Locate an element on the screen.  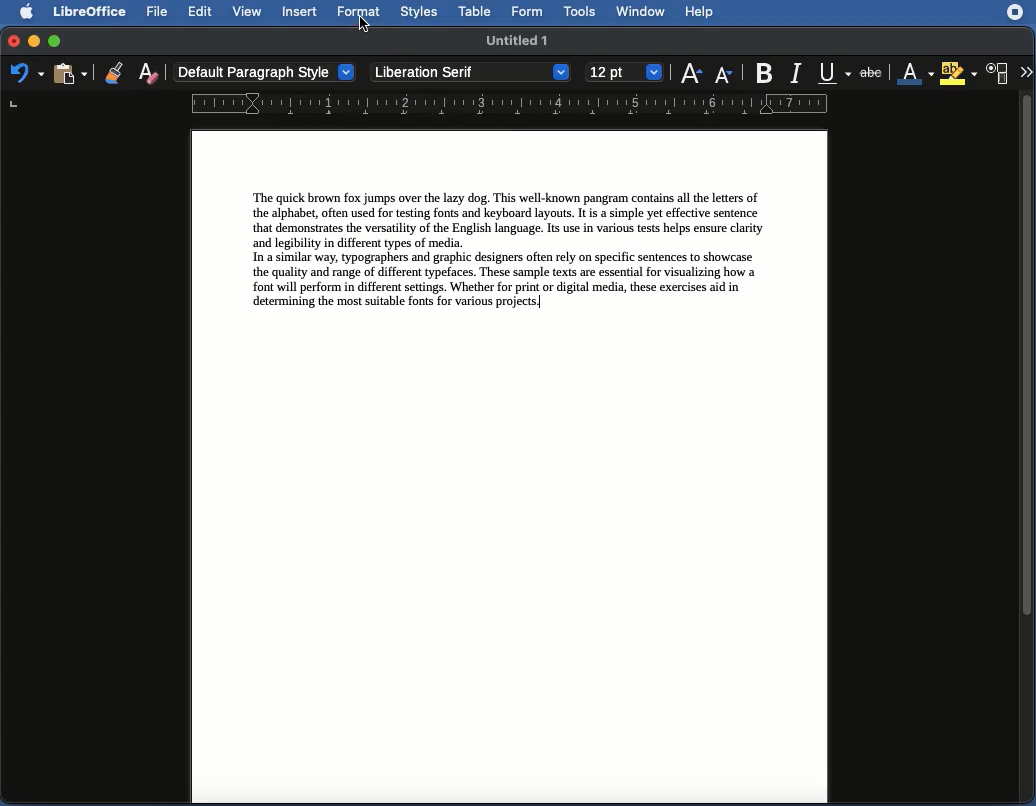
Italics is located at coordinates (796, 72).